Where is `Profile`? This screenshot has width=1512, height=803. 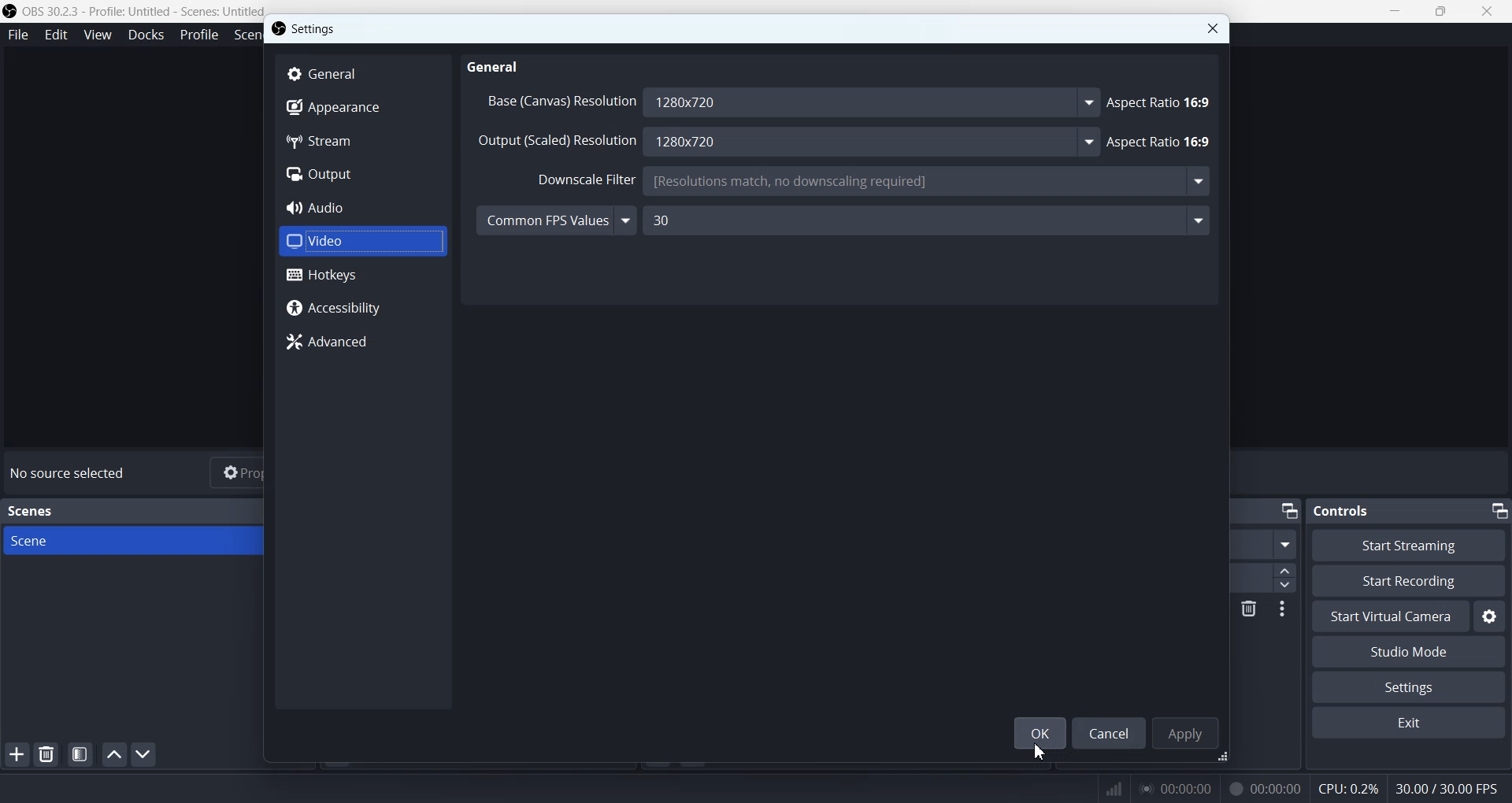
Profile is located at coordinates (197, 36).